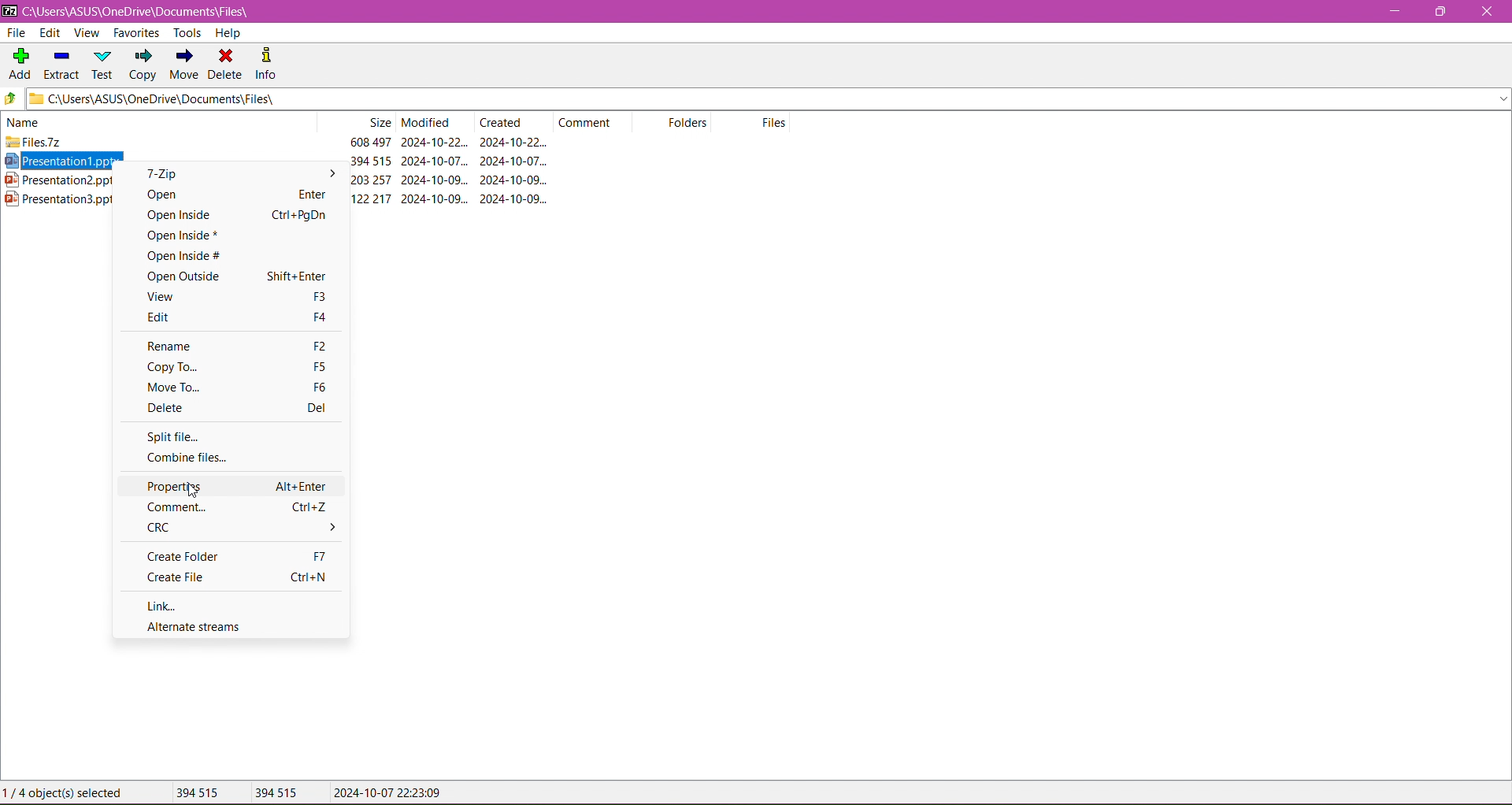 The width and height of the screenshot is (1512, 805). What do you see at coordinates (187, 33) in the screenshot?
I see `Tools` at bounding box center [187, 33].